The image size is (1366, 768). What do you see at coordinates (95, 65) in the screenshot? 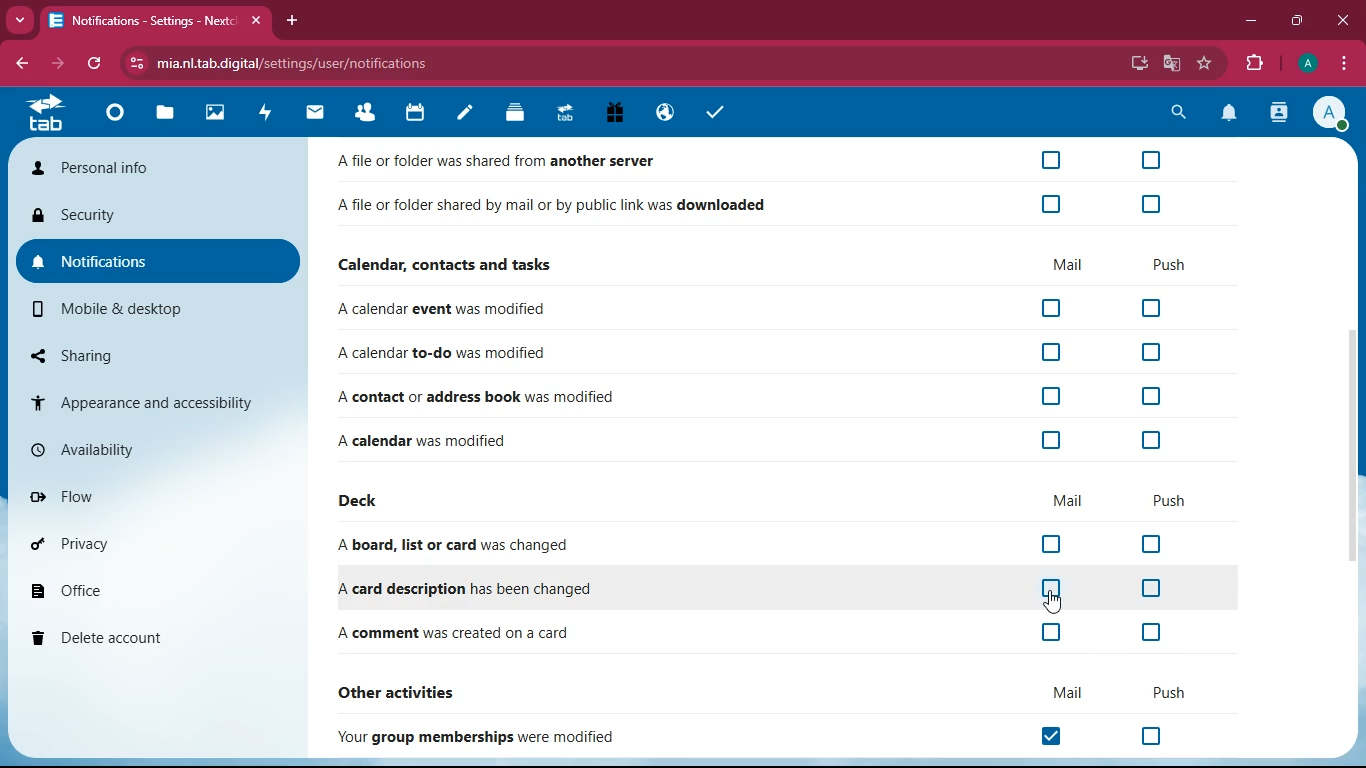
I see `refresh` at bounding box center [95, 65].